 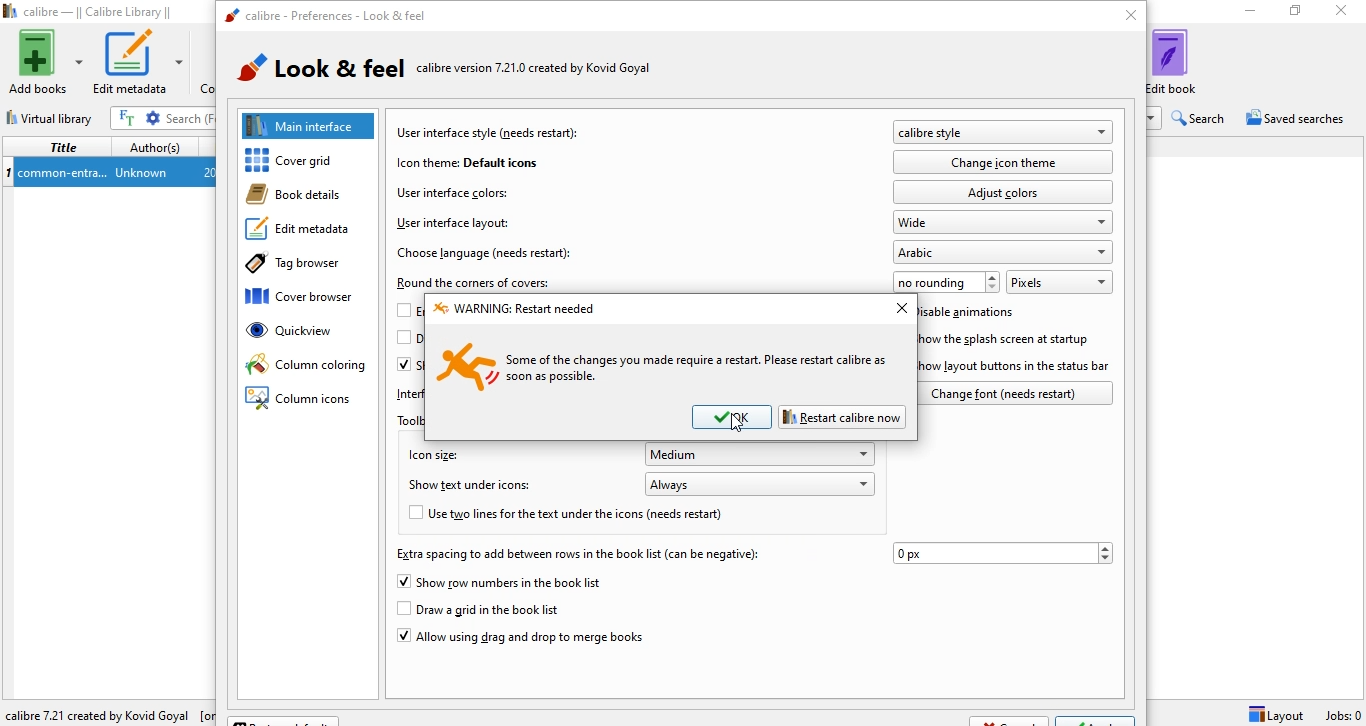 What do you see at coordinates (735, 424) in the screenshot?
I see `cursor` at bounding box center [735, 424].